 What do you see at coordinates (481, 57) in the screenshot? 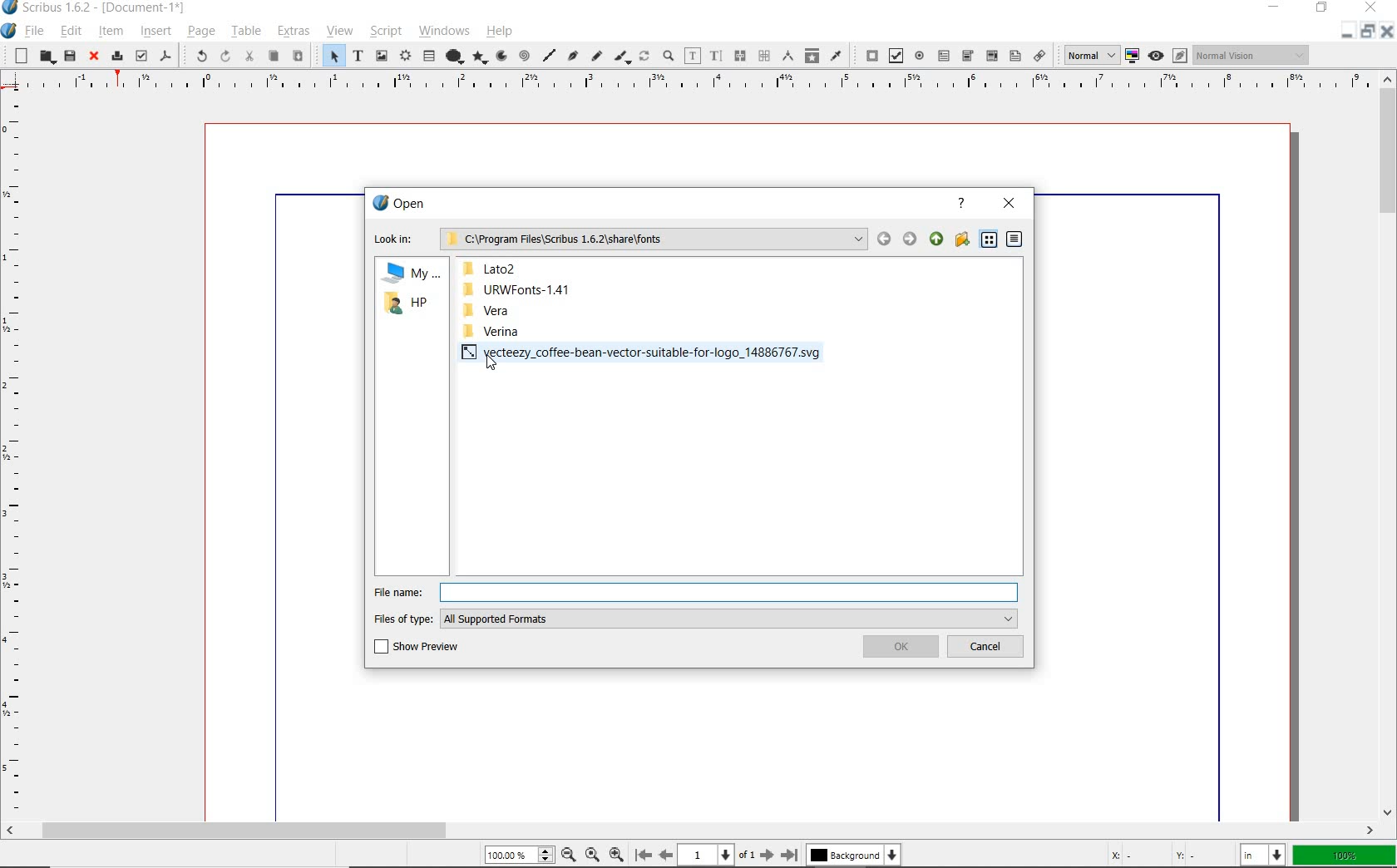
I see `polygon` at bounding box center [481, 57].